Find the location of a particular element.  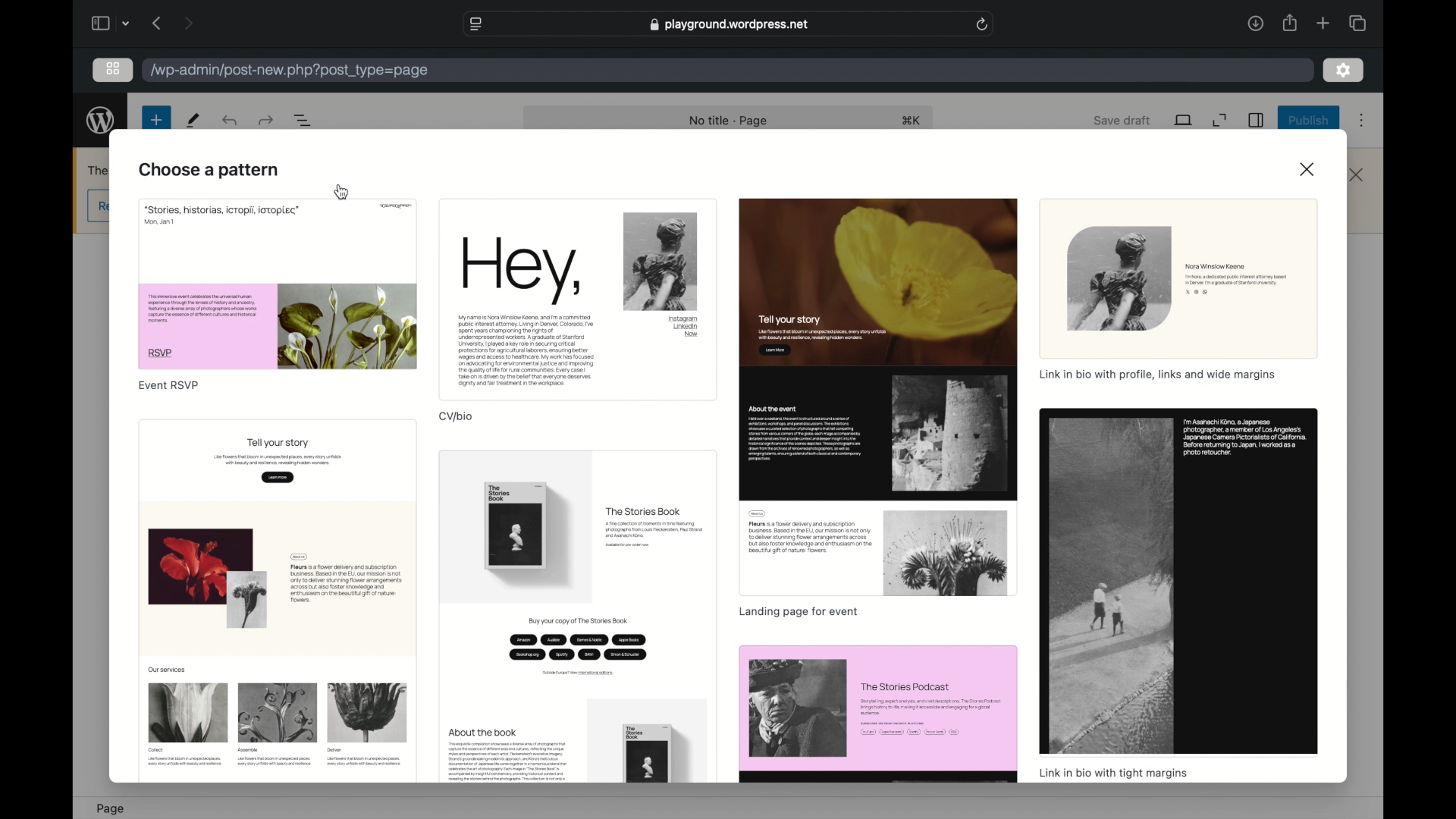

no title - page is located at coordinates (730, 121).